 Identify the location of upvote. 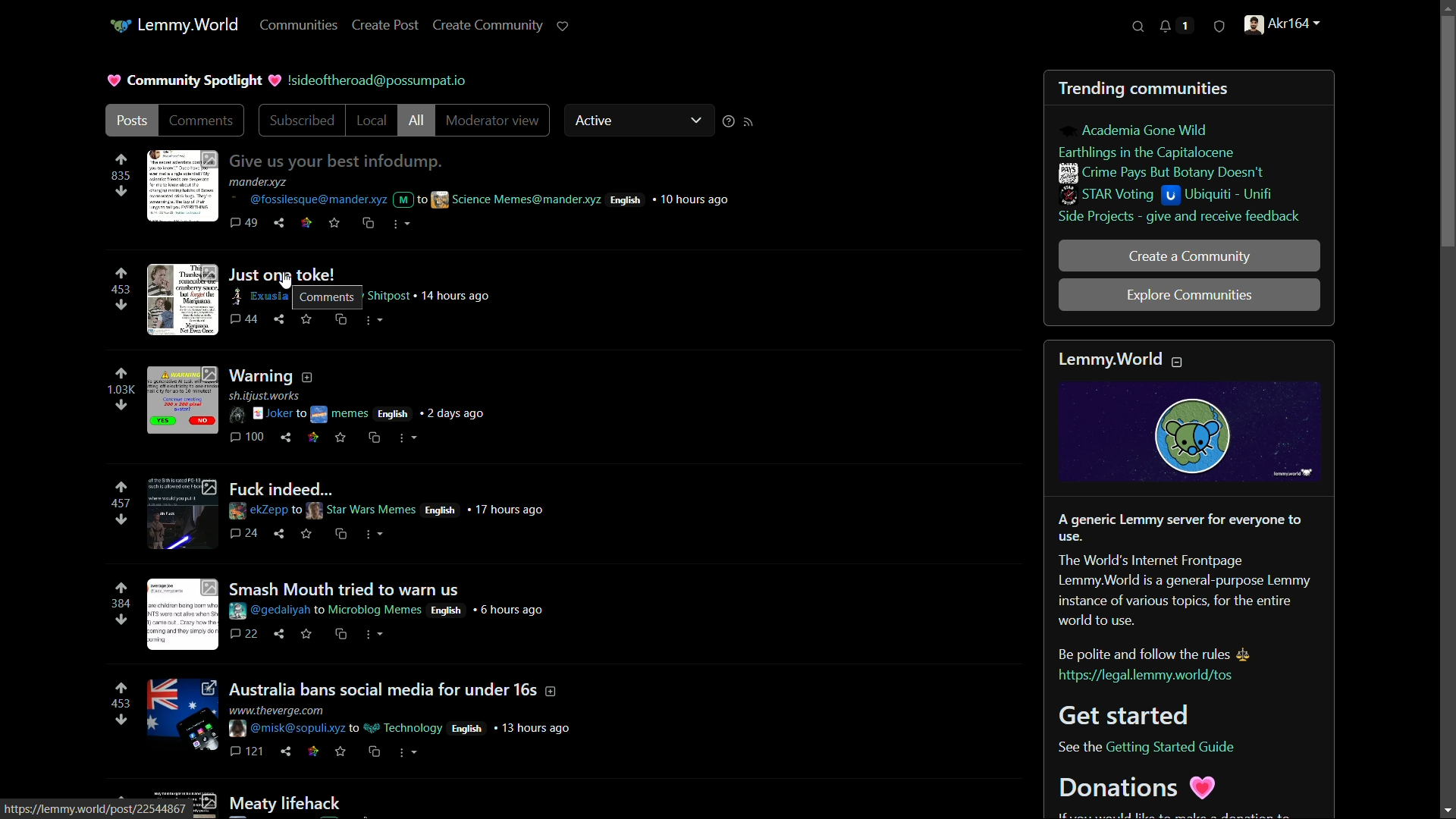
(122, 374).